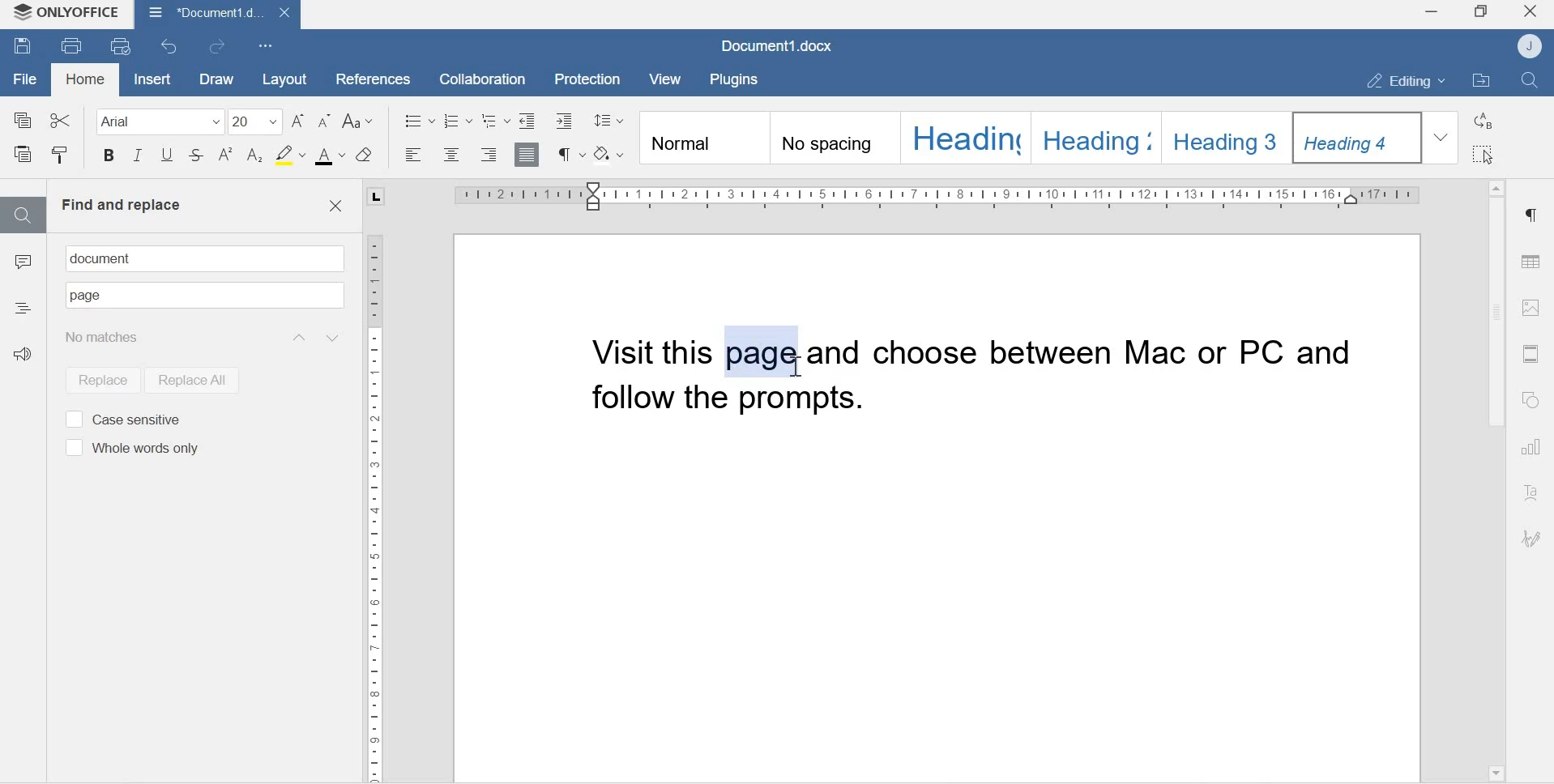  Describe the element at coordinates (86, 81) in the screenshot. I see `Homd` at that location.